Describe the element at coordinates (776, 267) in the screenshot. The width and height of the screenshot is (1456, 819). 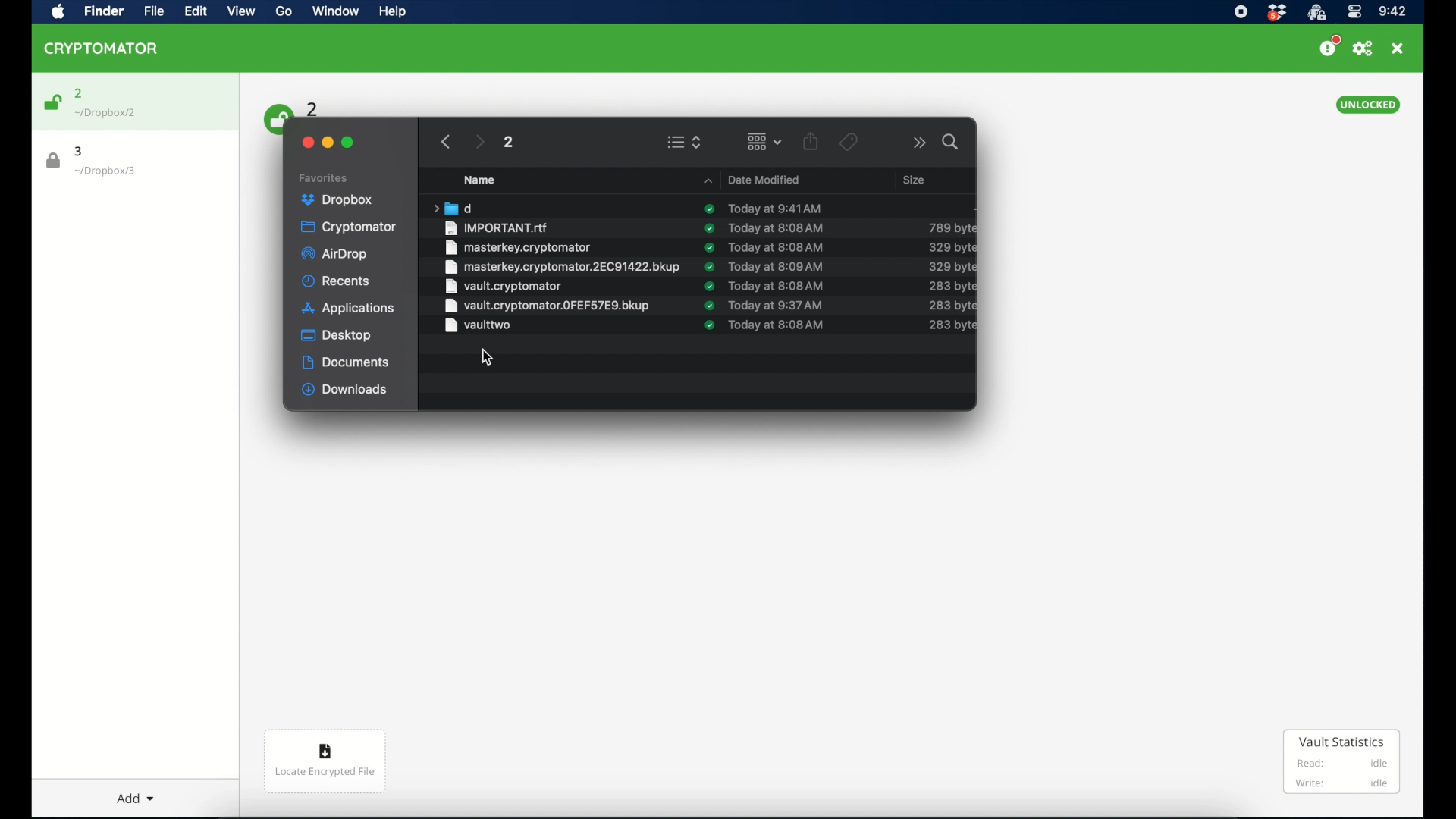
I see `` at that location.